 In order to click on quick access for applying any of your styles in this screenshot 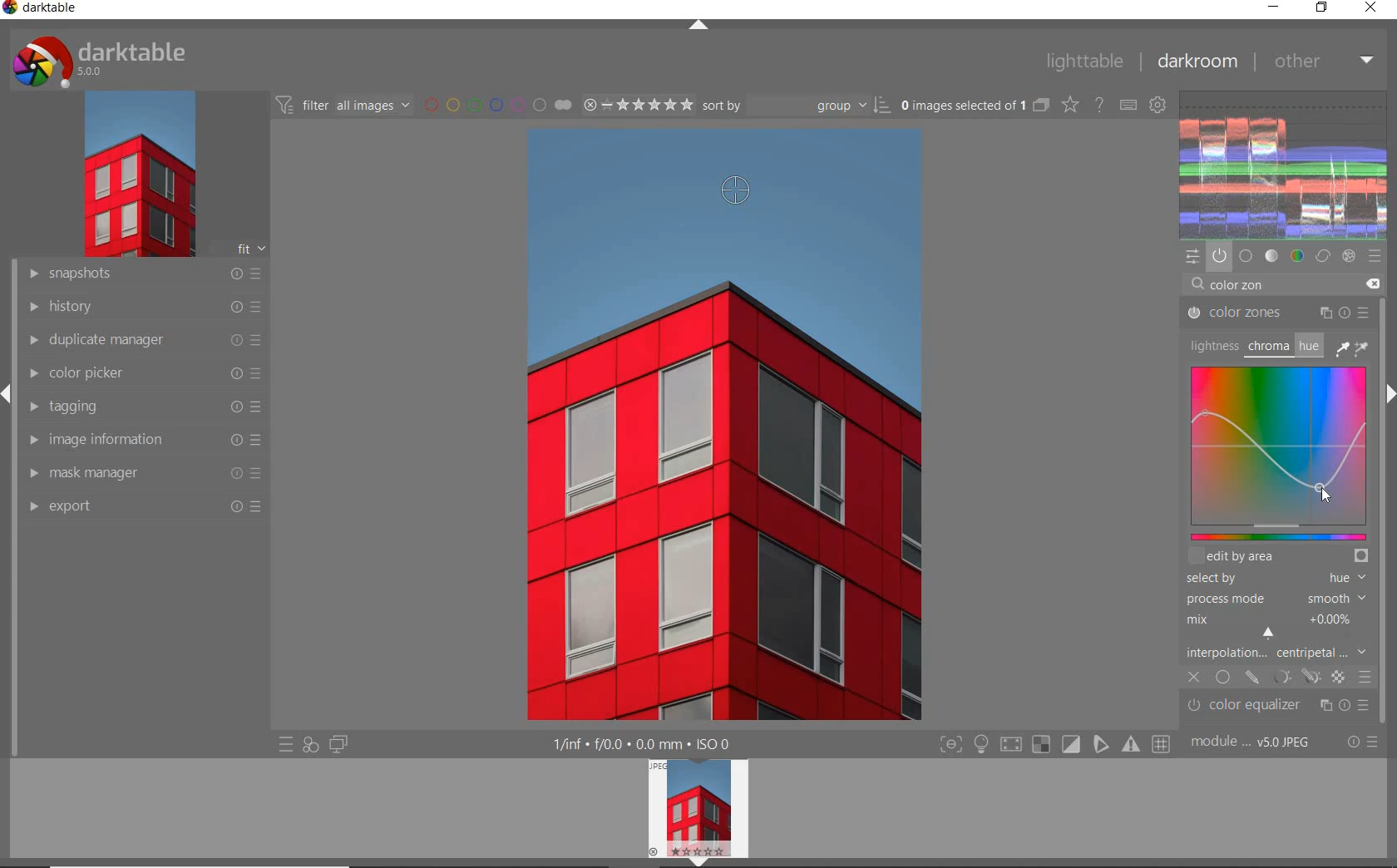, I will do `click(311, 744)`.